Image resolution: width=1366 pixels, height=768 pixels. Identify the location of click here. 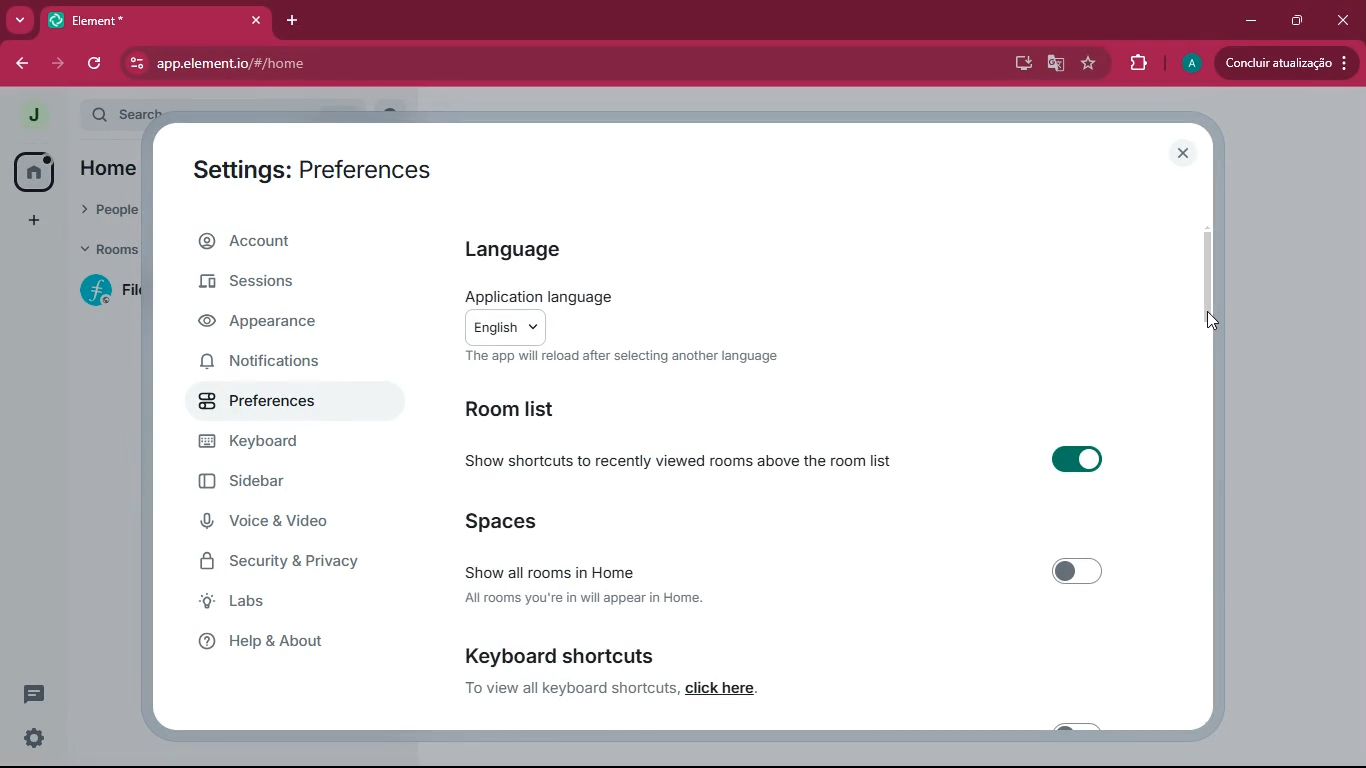
(722, 689).